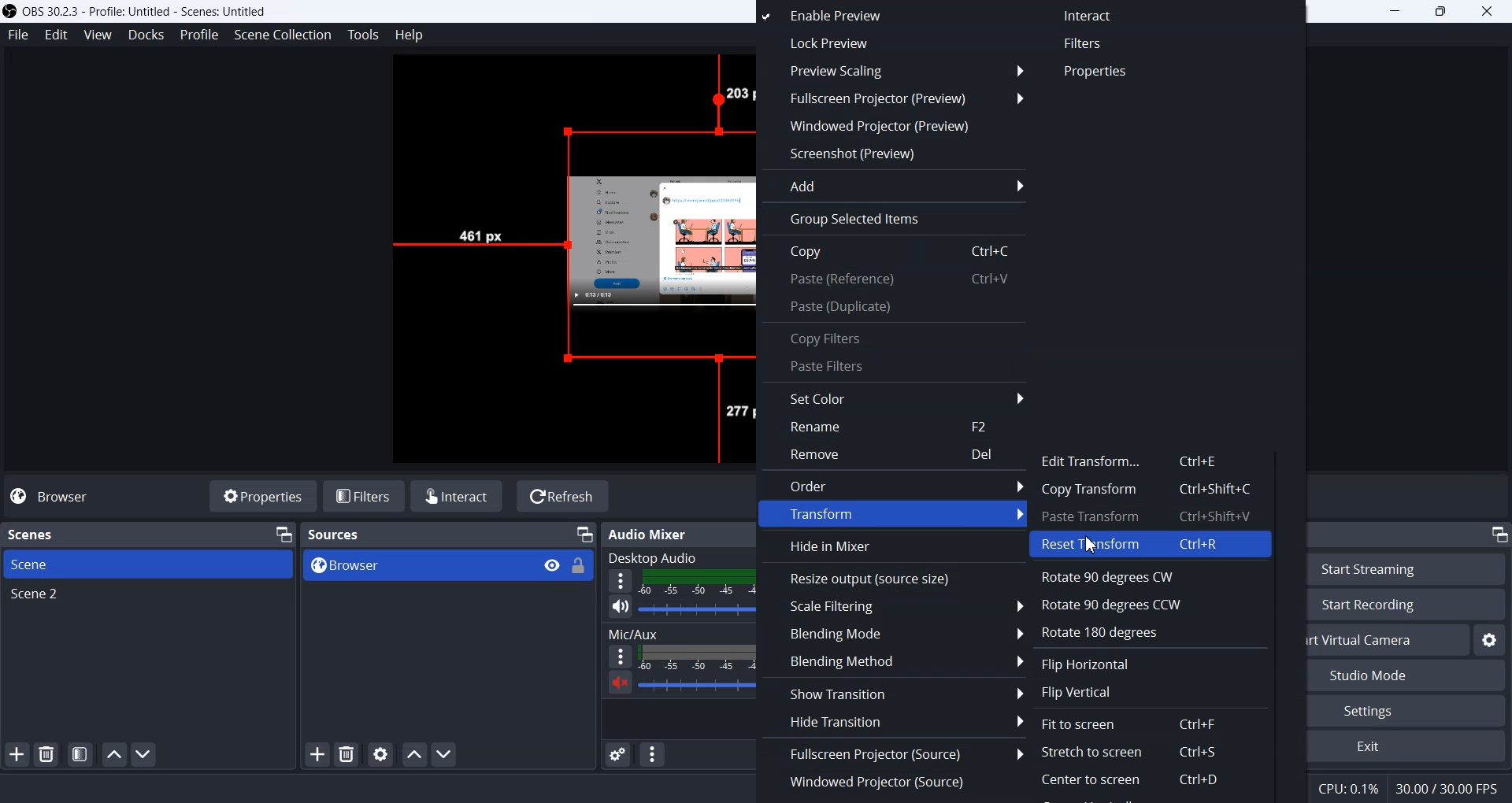 The height and width of the screenshot is (803, 1512). What do you see at coordinates (18, 35) in the screenshot?
I see `File` at bounding box center [18, 35].